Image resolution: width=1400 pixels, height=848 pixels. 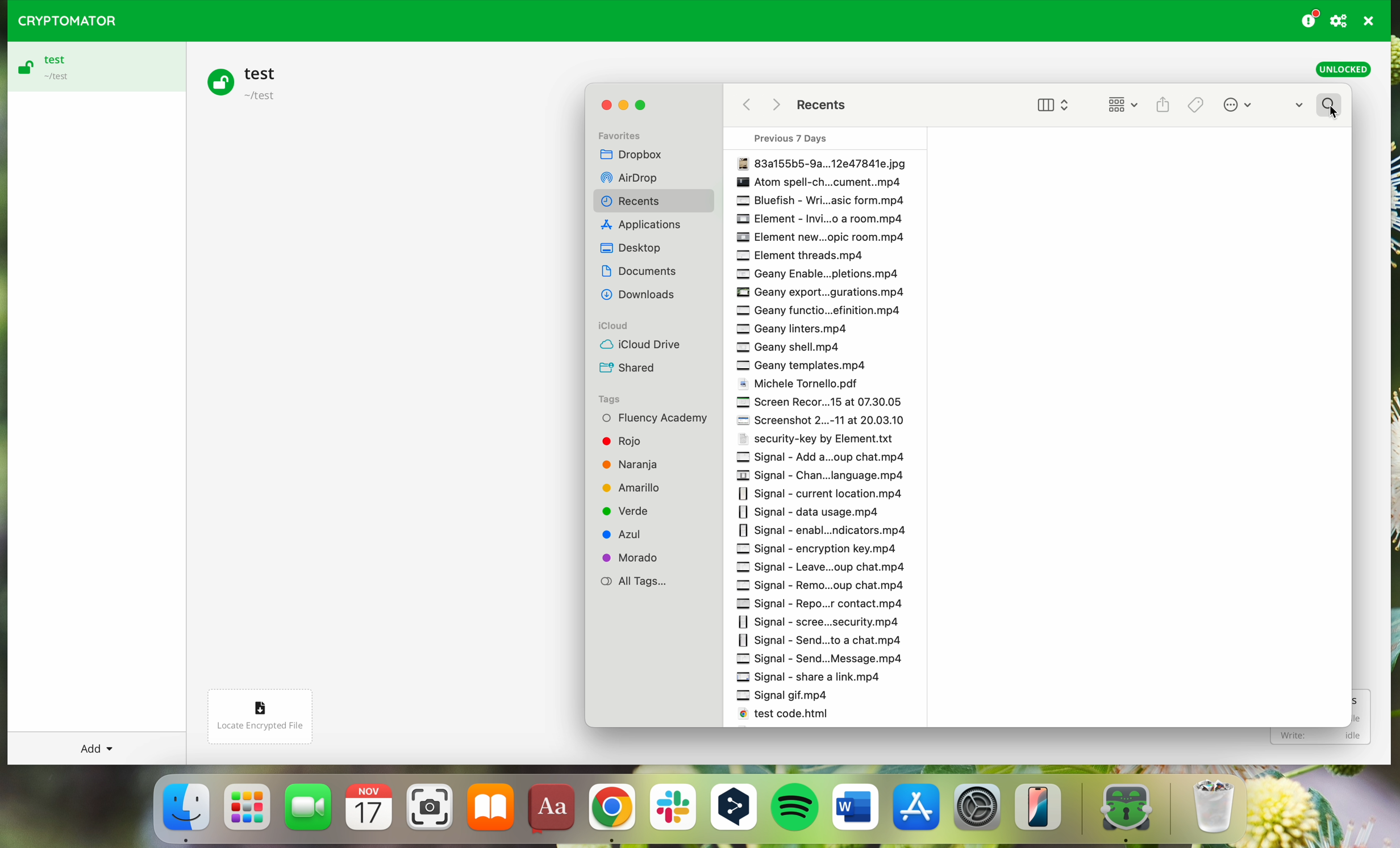 What do you see at coordinates (815, 273) in the screenshot?
I see `Geany enable` at bounding box center [815, 273].